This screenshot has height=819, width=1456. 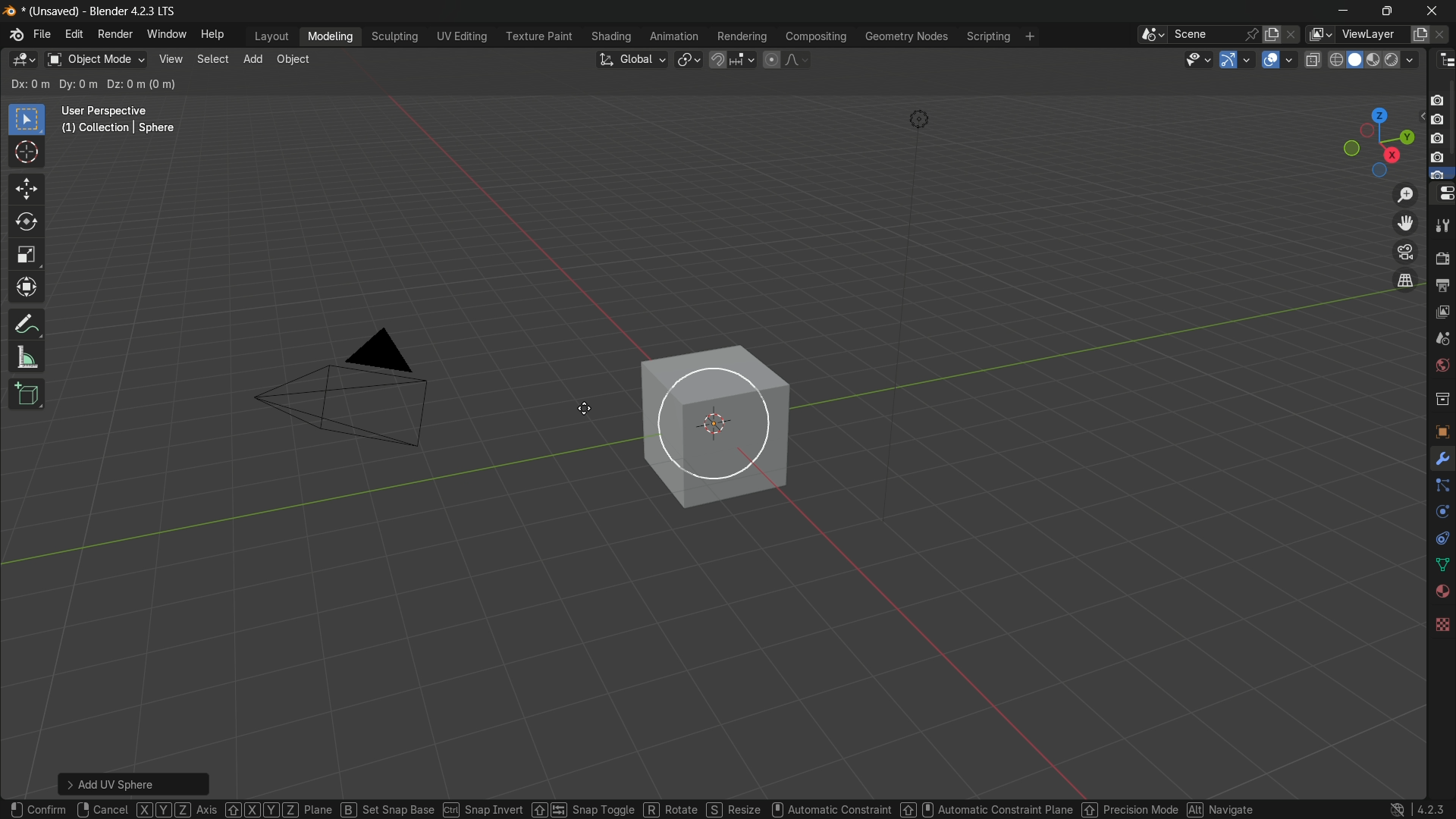 What do you see at coordinates (270, 36) in the screenshot?
I see `layout menu` at bounding box center [270, 36].